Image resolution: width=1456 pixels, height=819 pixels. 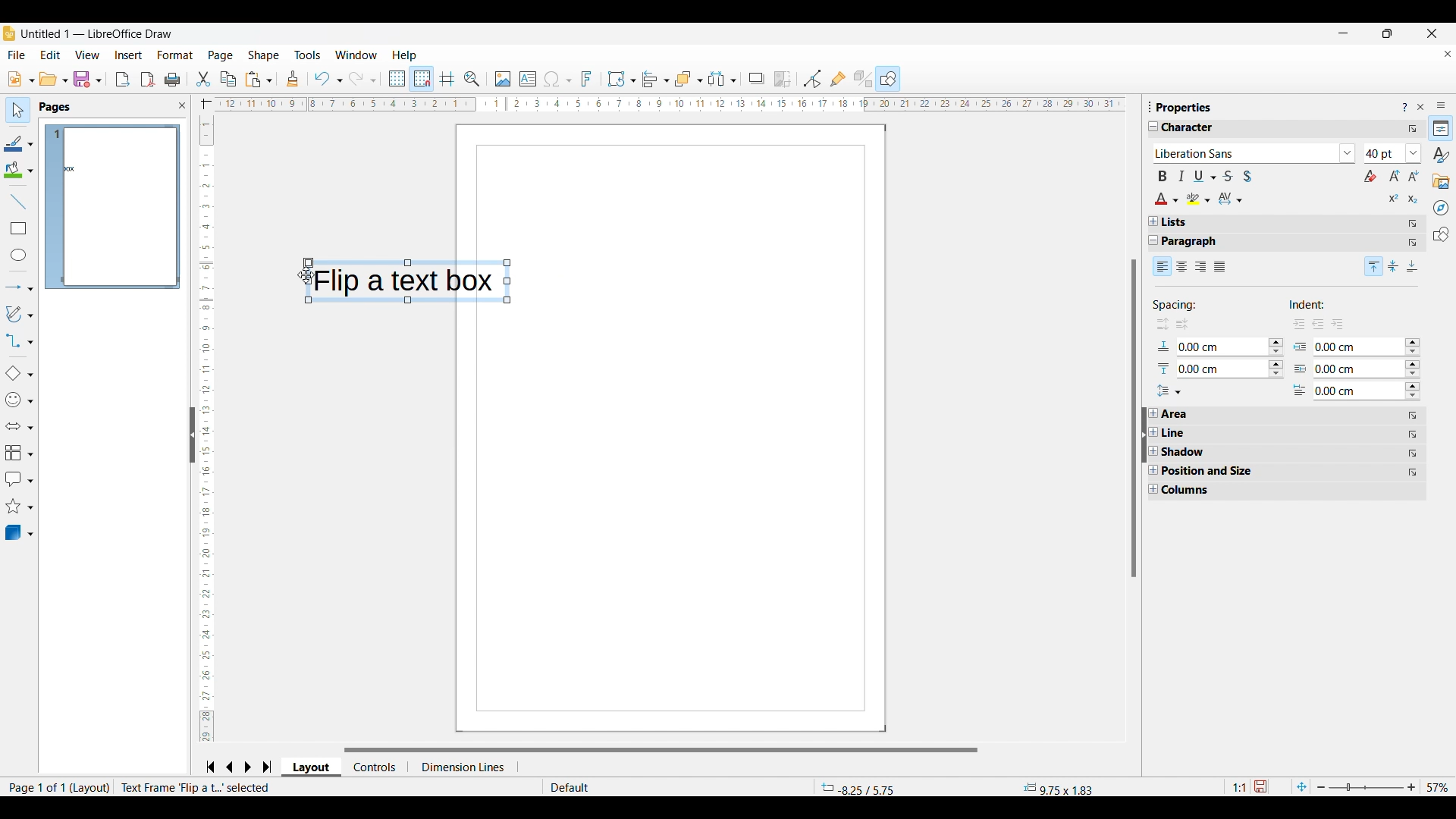 What do you see at coordinates (18, 110) in the screenshot?
I see `Select, current selection` at bounding box center [18, 110].